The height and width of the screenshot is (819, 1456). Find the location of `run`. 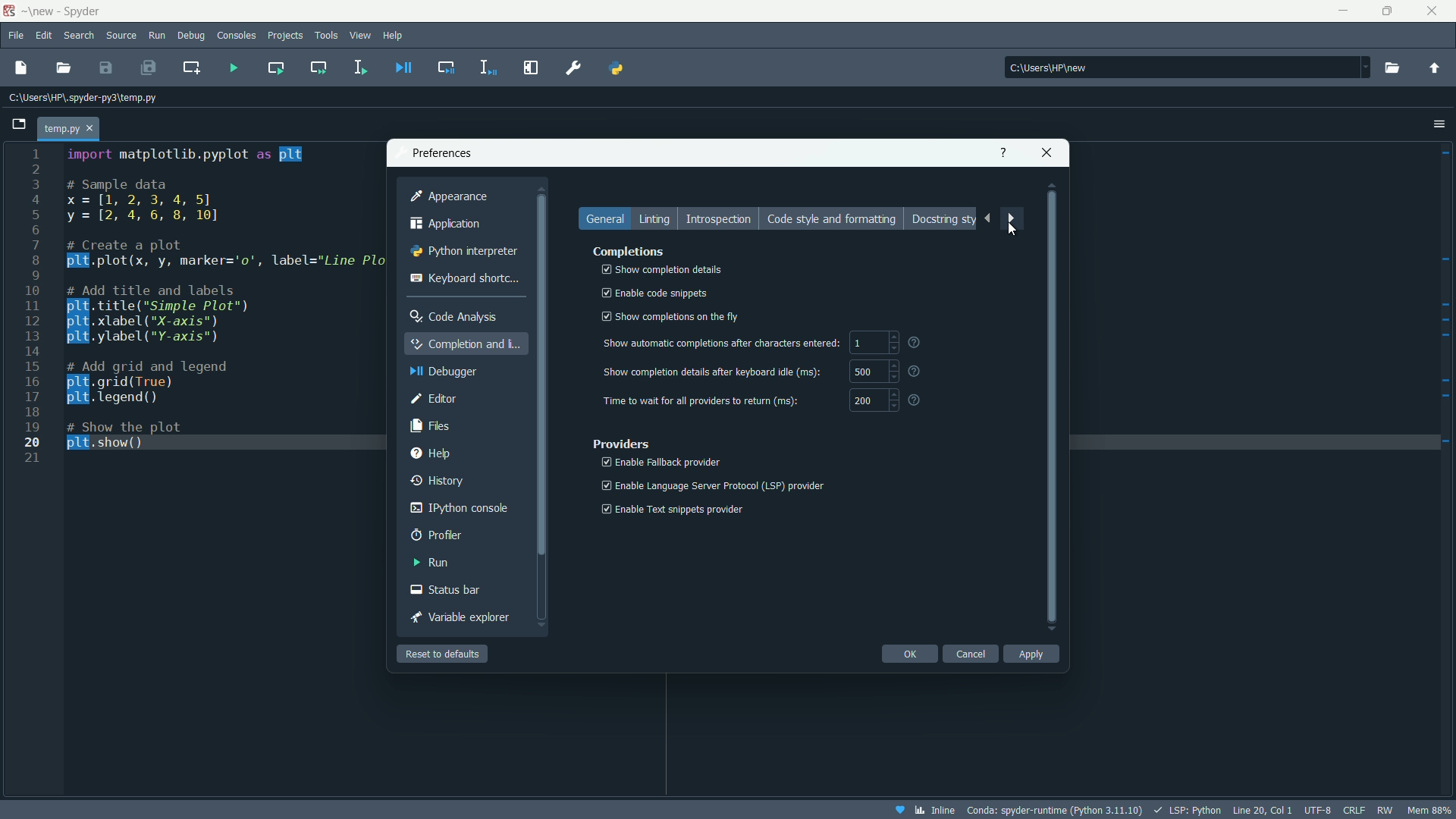

run is located at coordinates (157, 36).